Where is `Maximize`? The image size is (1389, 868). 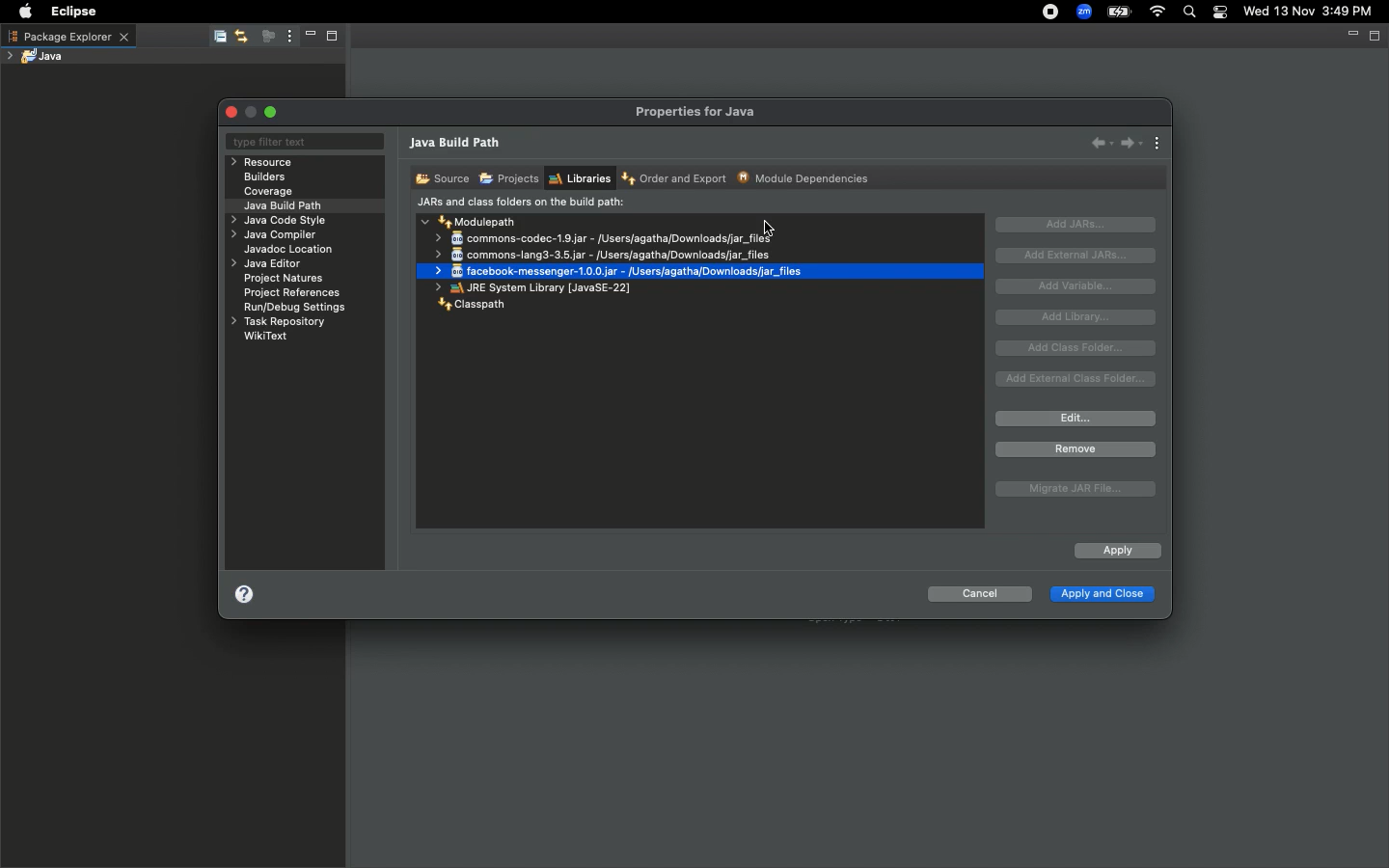
Maximize is located at coordinates (338, 38).